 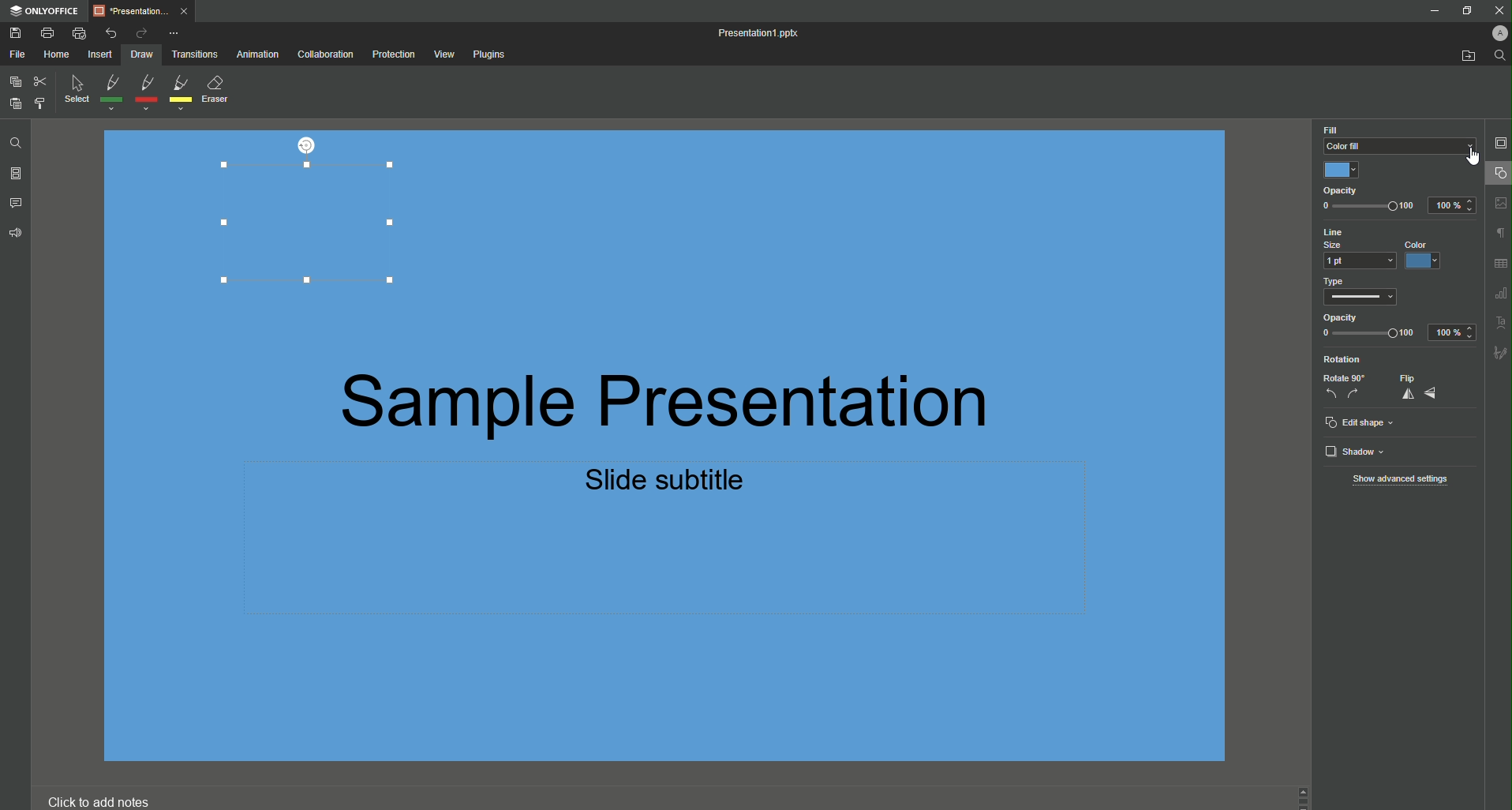 What do you see at coordinates (1335, 244) in the screenshot?
I see `Size` at bounding box center [1335, 244].